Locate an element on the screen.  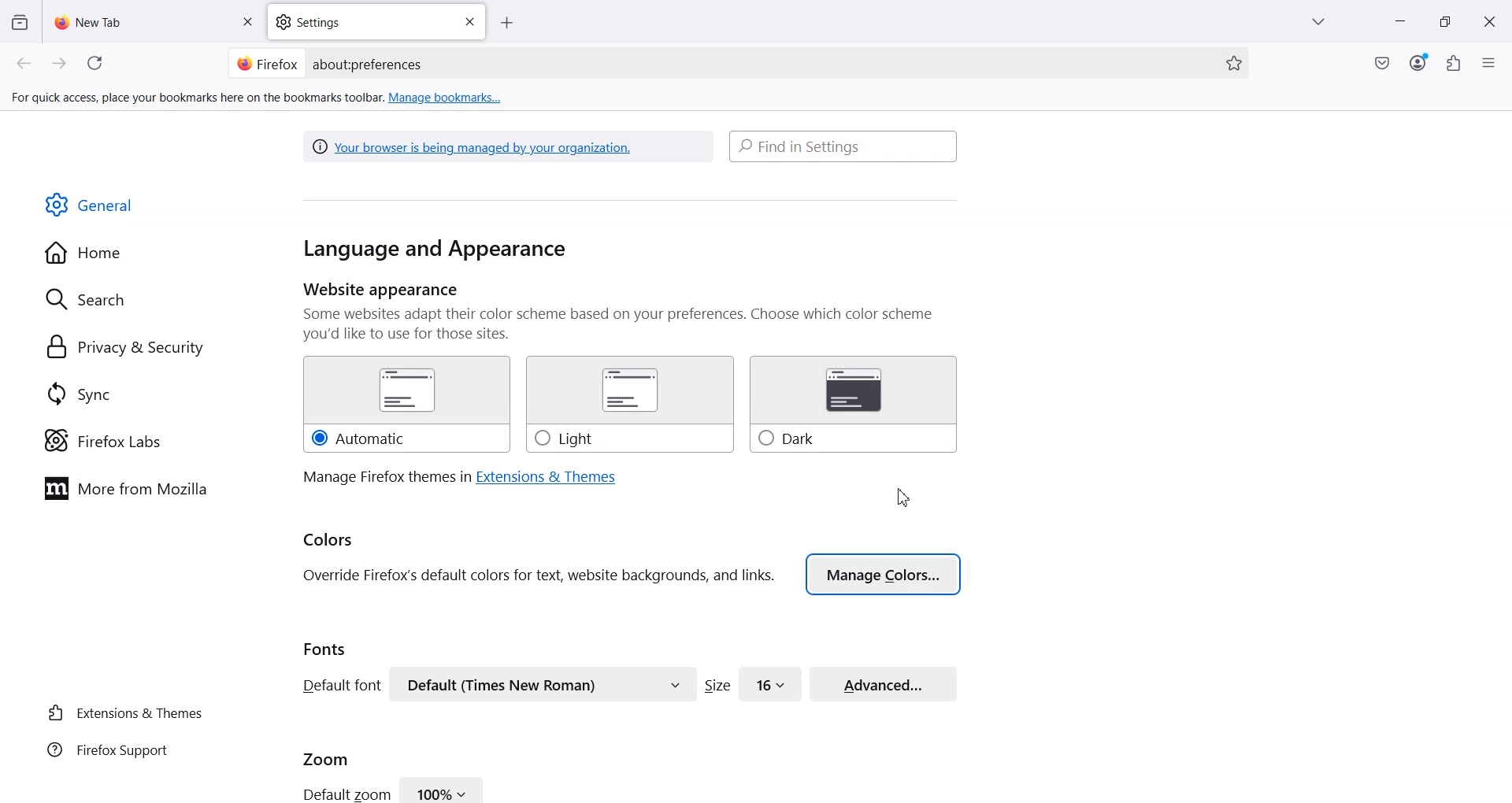
Minimize is located at coordinates (1399, 23).